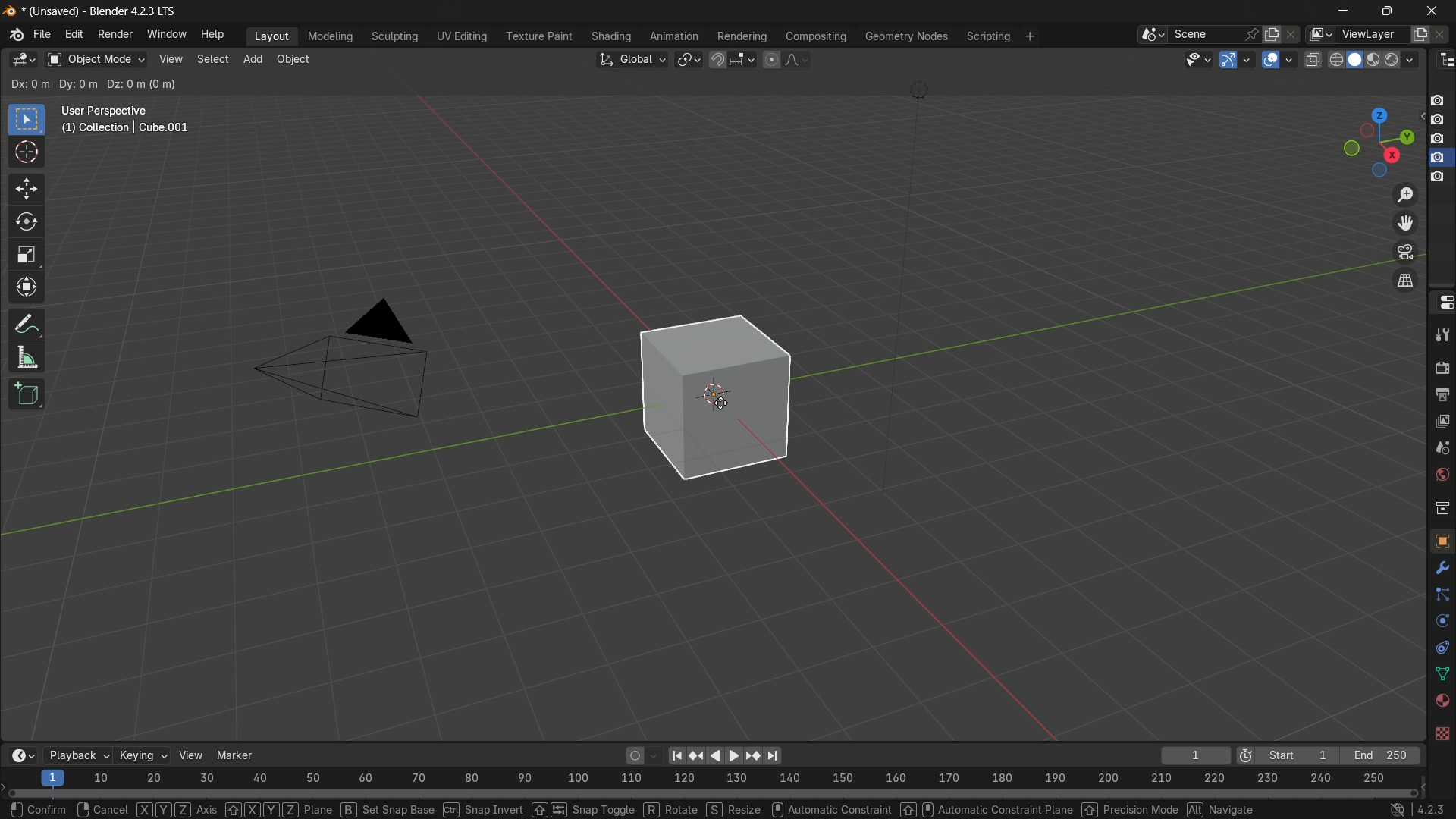  What do you see at coordinates (723, 755) in the screenshot?
I see `play` at bounding box center [723, 755].